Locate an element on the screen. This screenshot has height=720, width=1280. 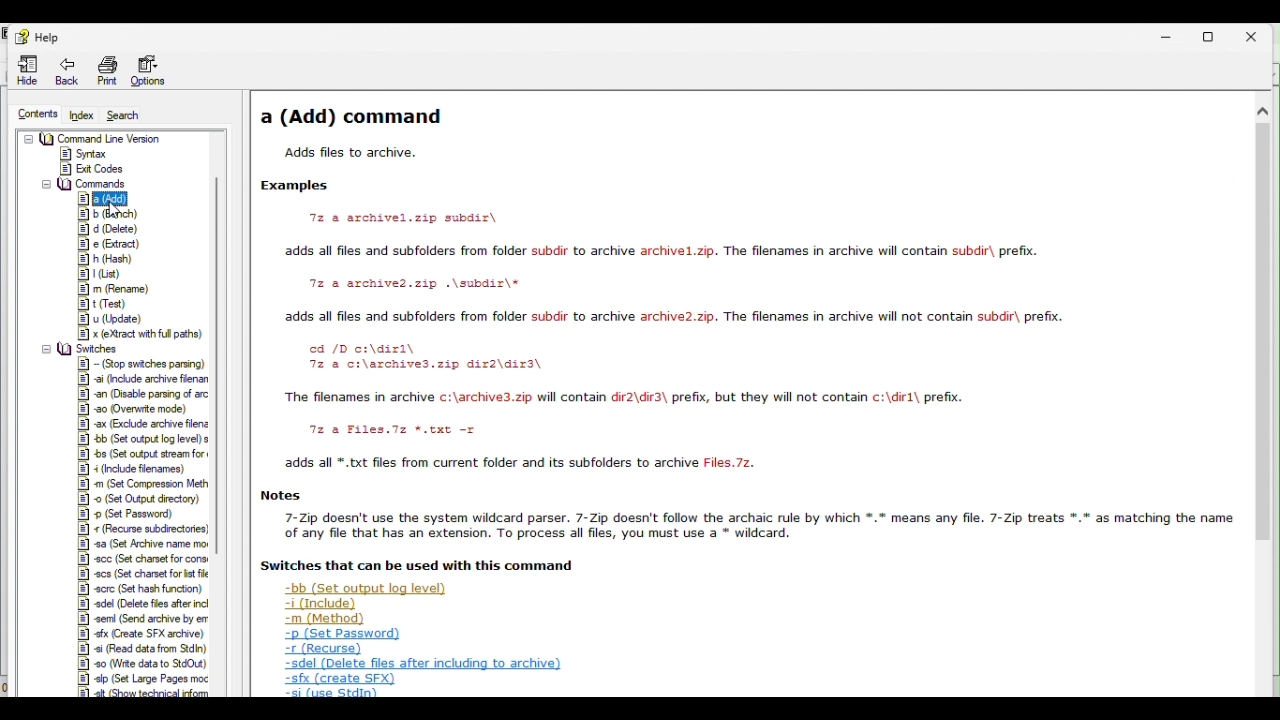
-ax is located at coordinates (144, 424).